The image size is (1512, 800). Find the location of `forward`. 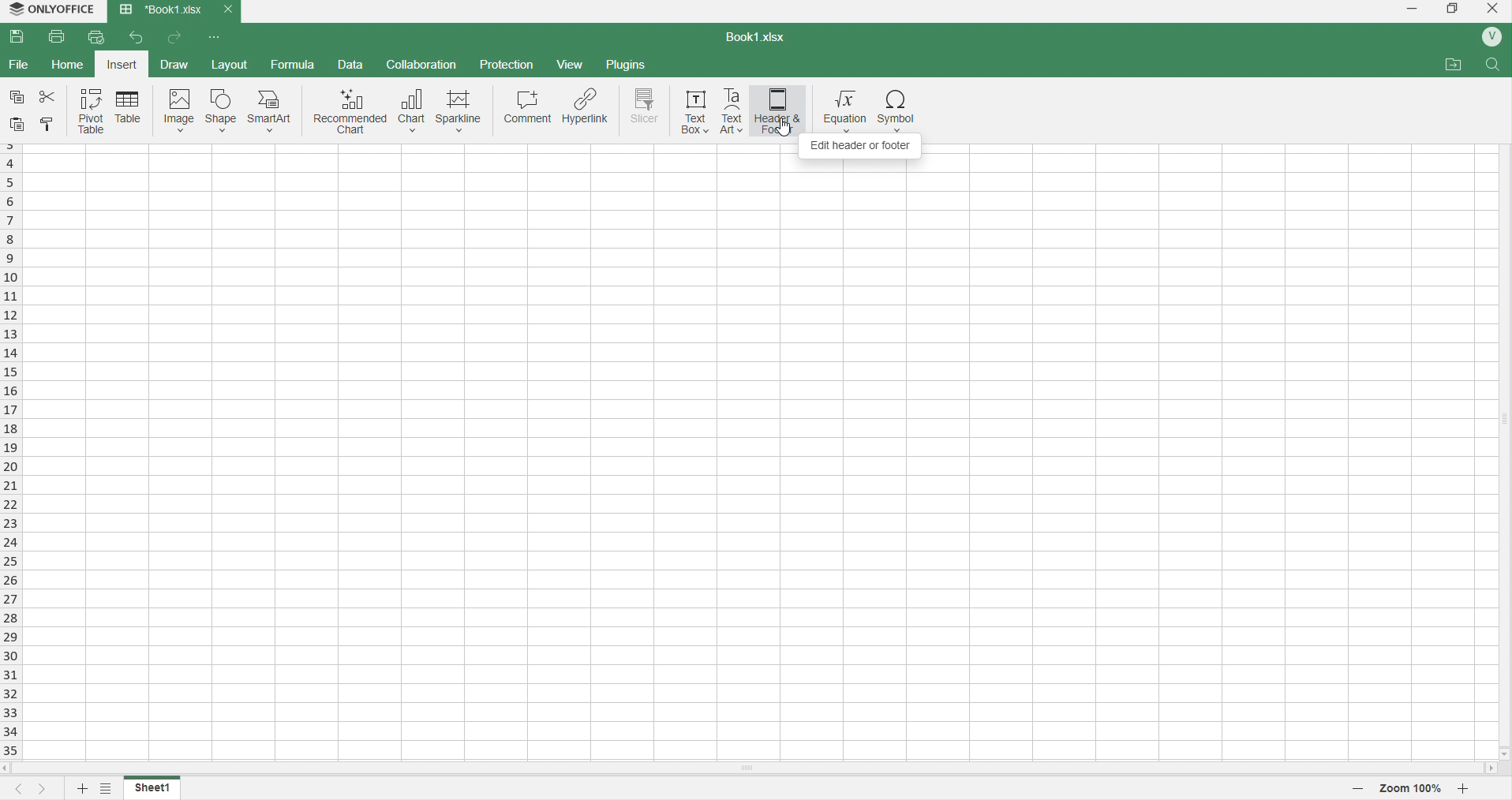

forward is located at coordinates (177, 37).